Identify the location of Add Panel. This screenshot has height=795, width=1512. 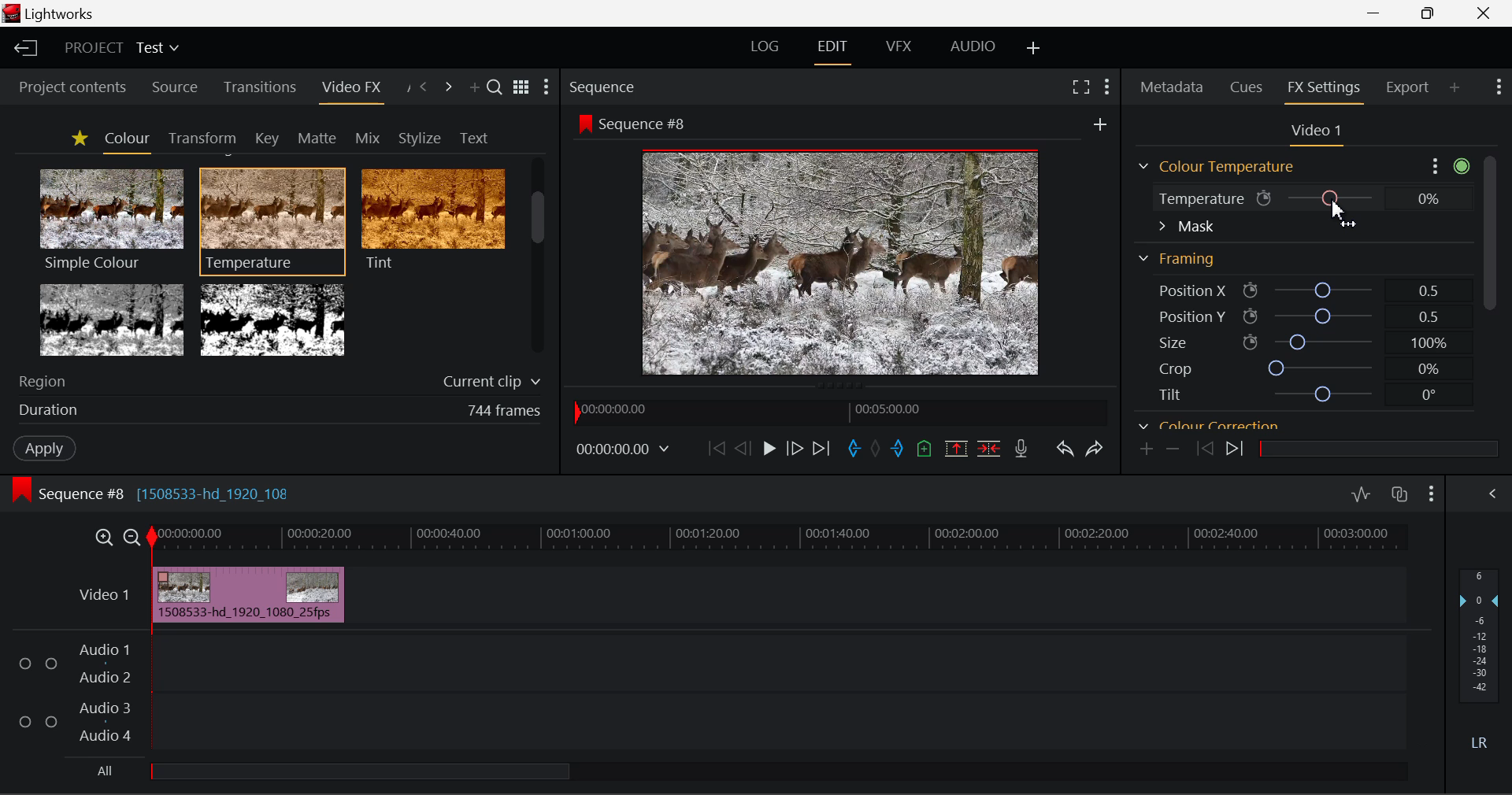
(472, 87).